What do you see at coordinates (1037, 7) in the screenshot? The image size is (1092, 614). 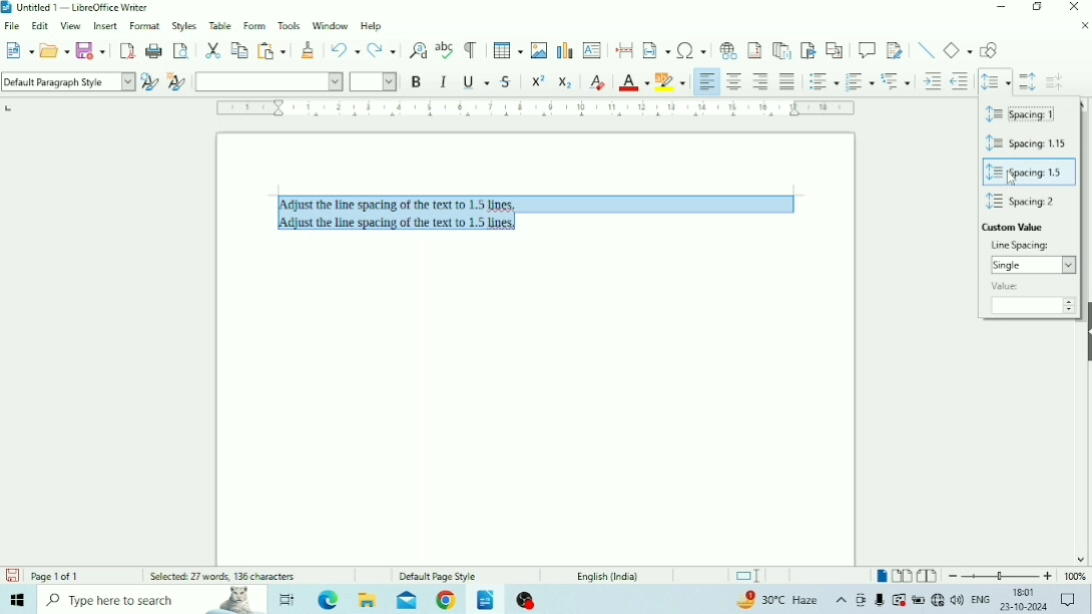 I see `Restore Down` at bounding box center [1037, 7].